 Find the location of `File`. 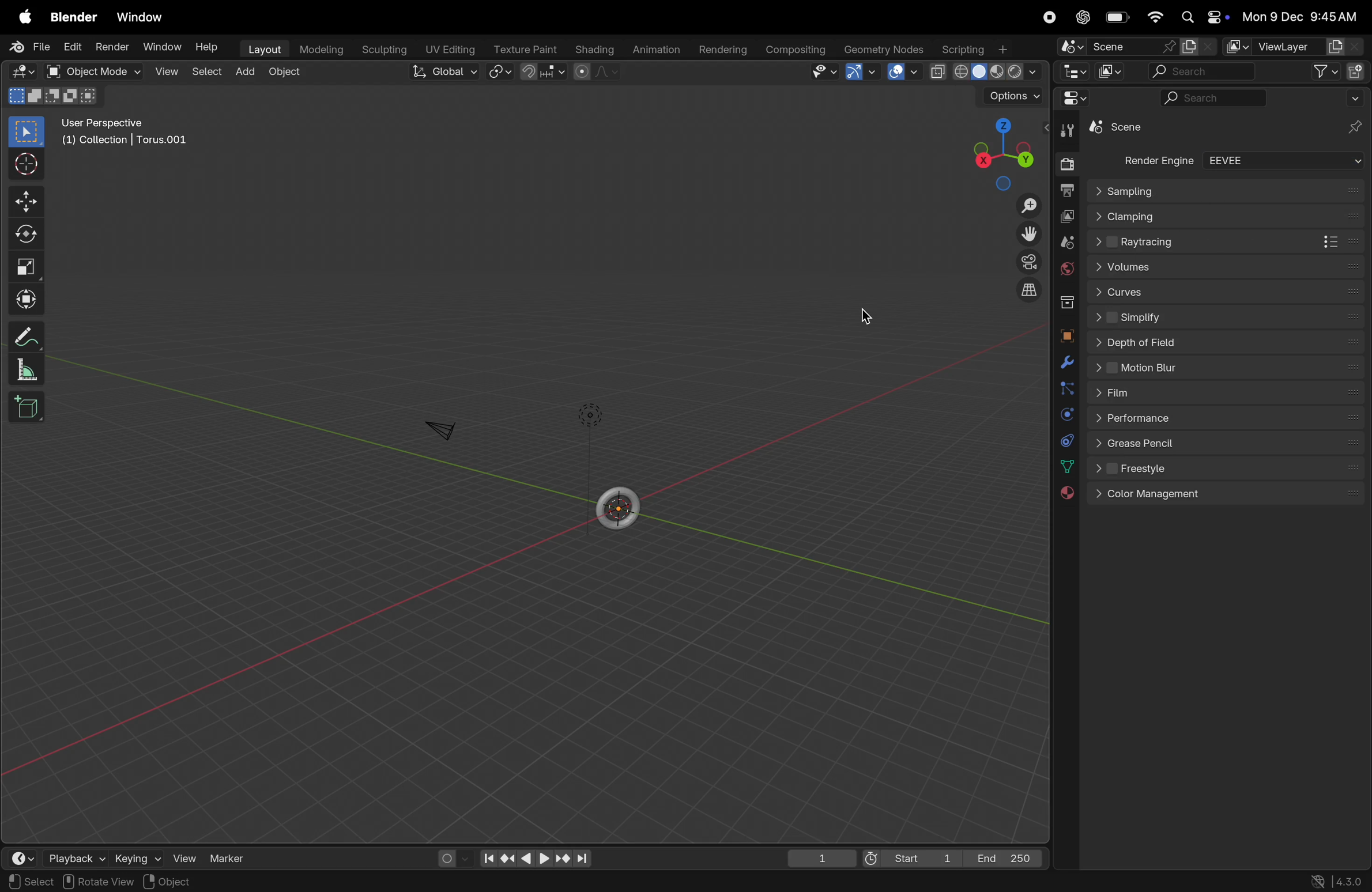

File is located at coordinates (28, 47).